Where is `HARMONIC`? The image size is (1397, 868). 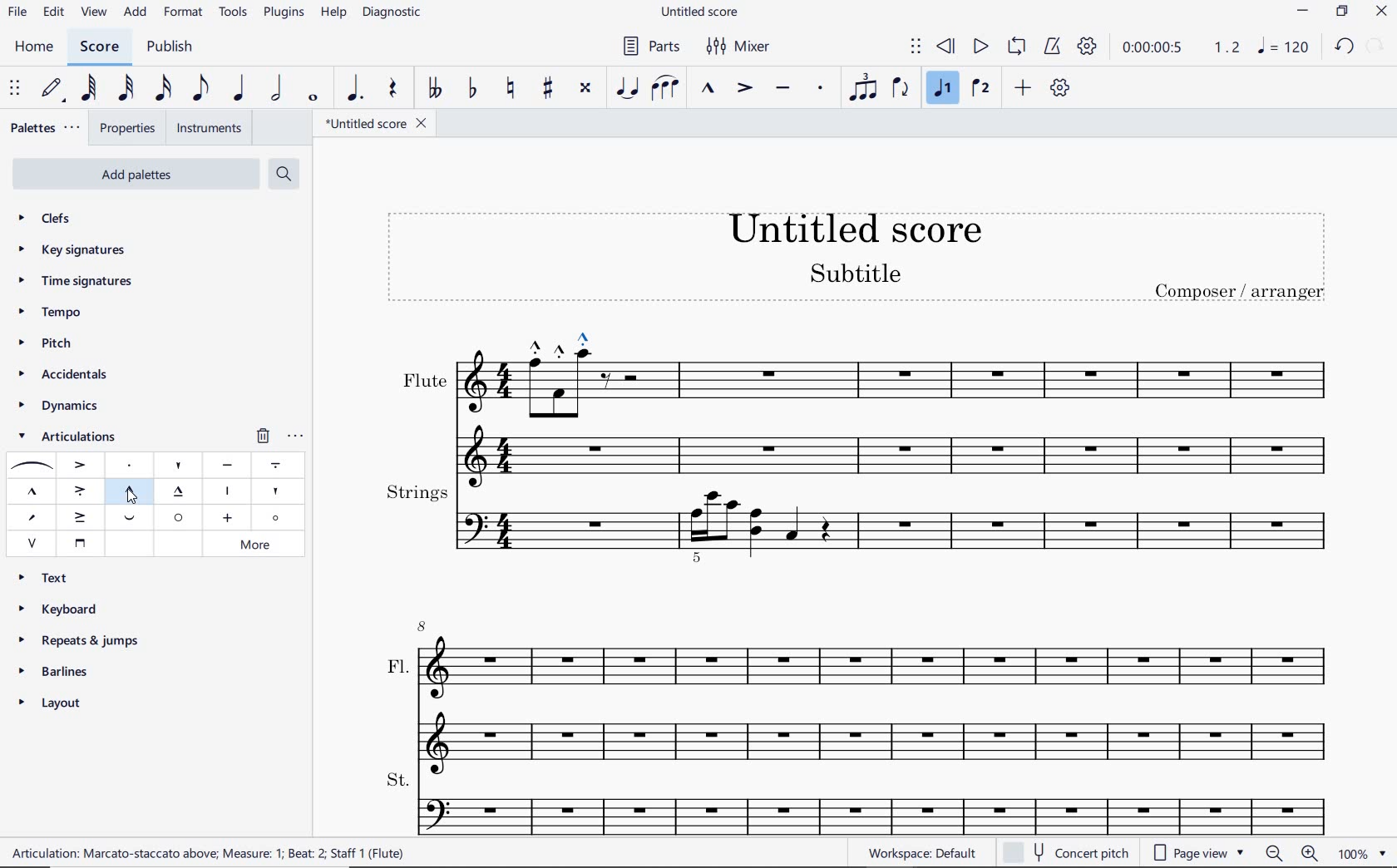
HARMONIC is located at coordinates (278, 518).